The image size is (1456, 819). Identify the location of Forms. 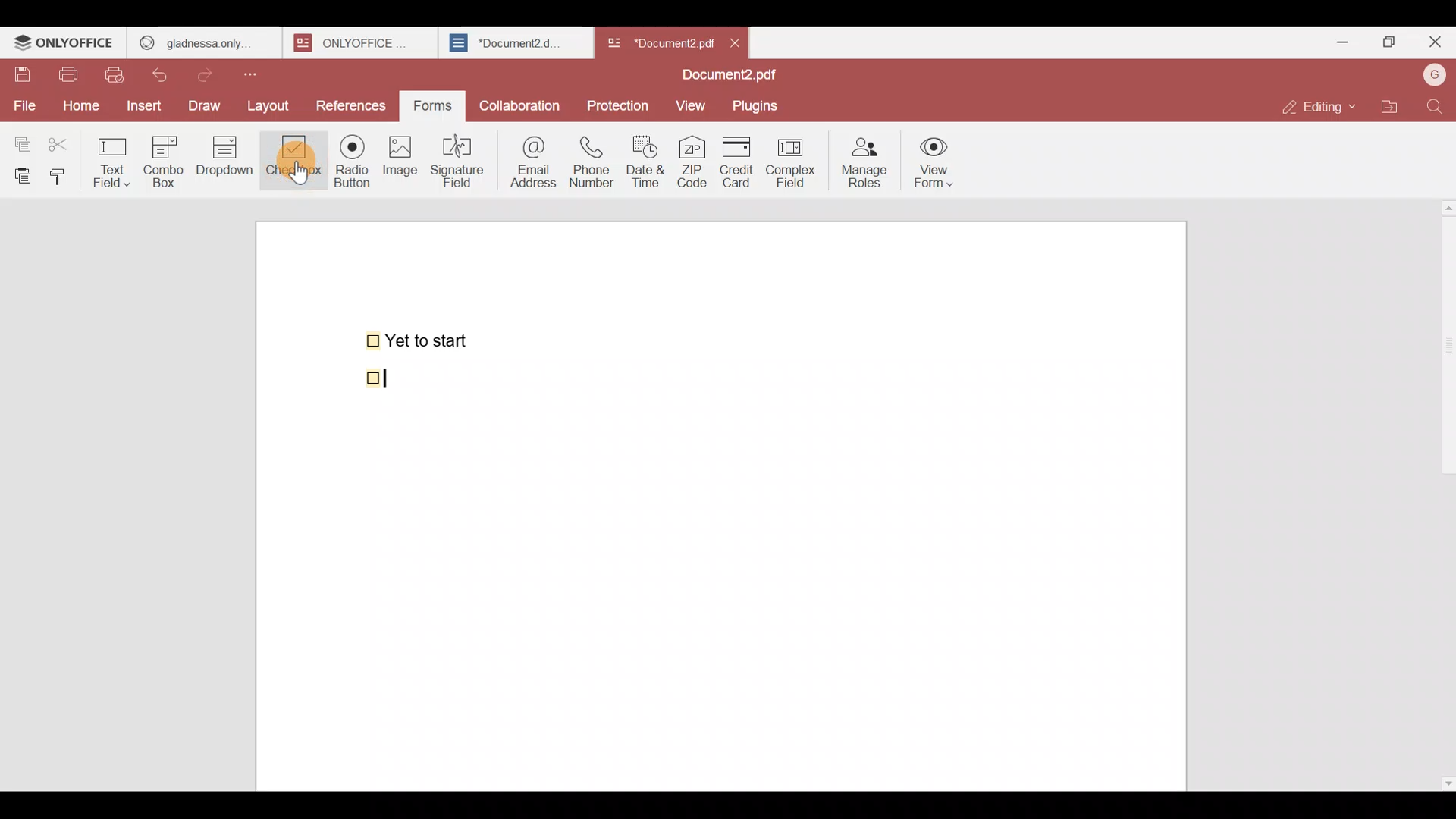
(434, 104).